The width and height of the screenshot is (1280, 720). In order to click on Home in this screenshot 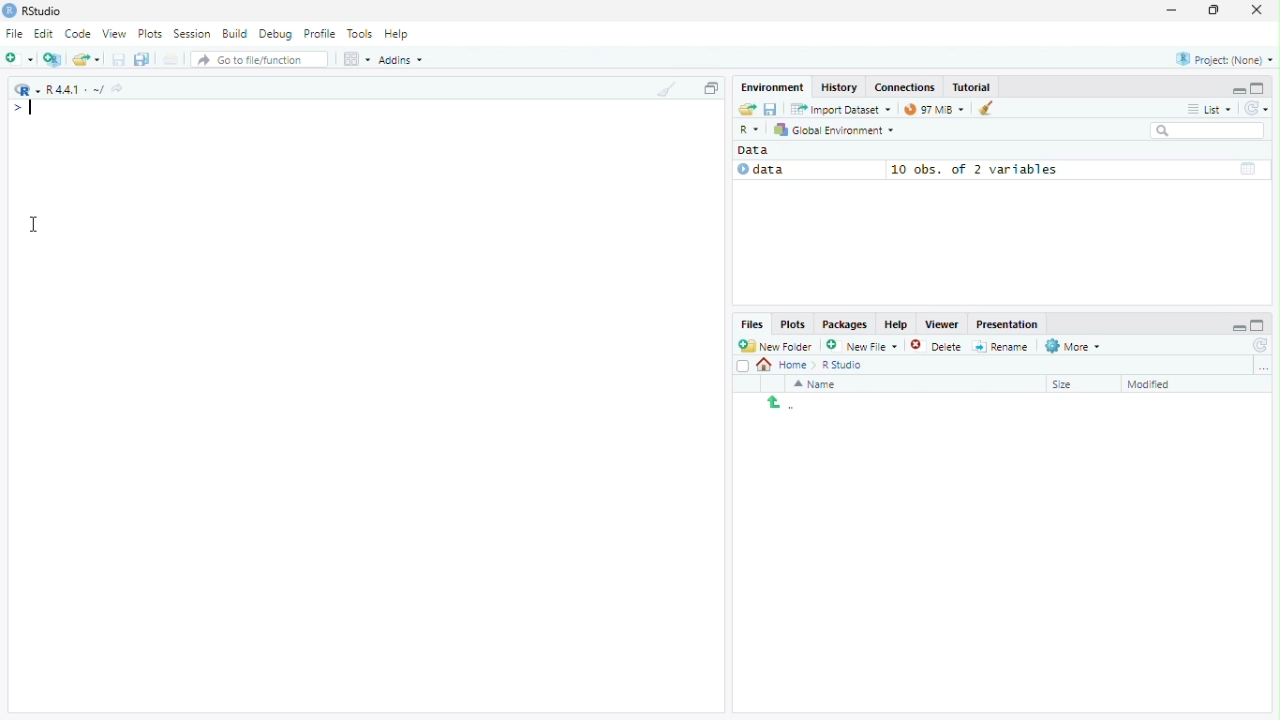, I will do `click(784, 366)`.